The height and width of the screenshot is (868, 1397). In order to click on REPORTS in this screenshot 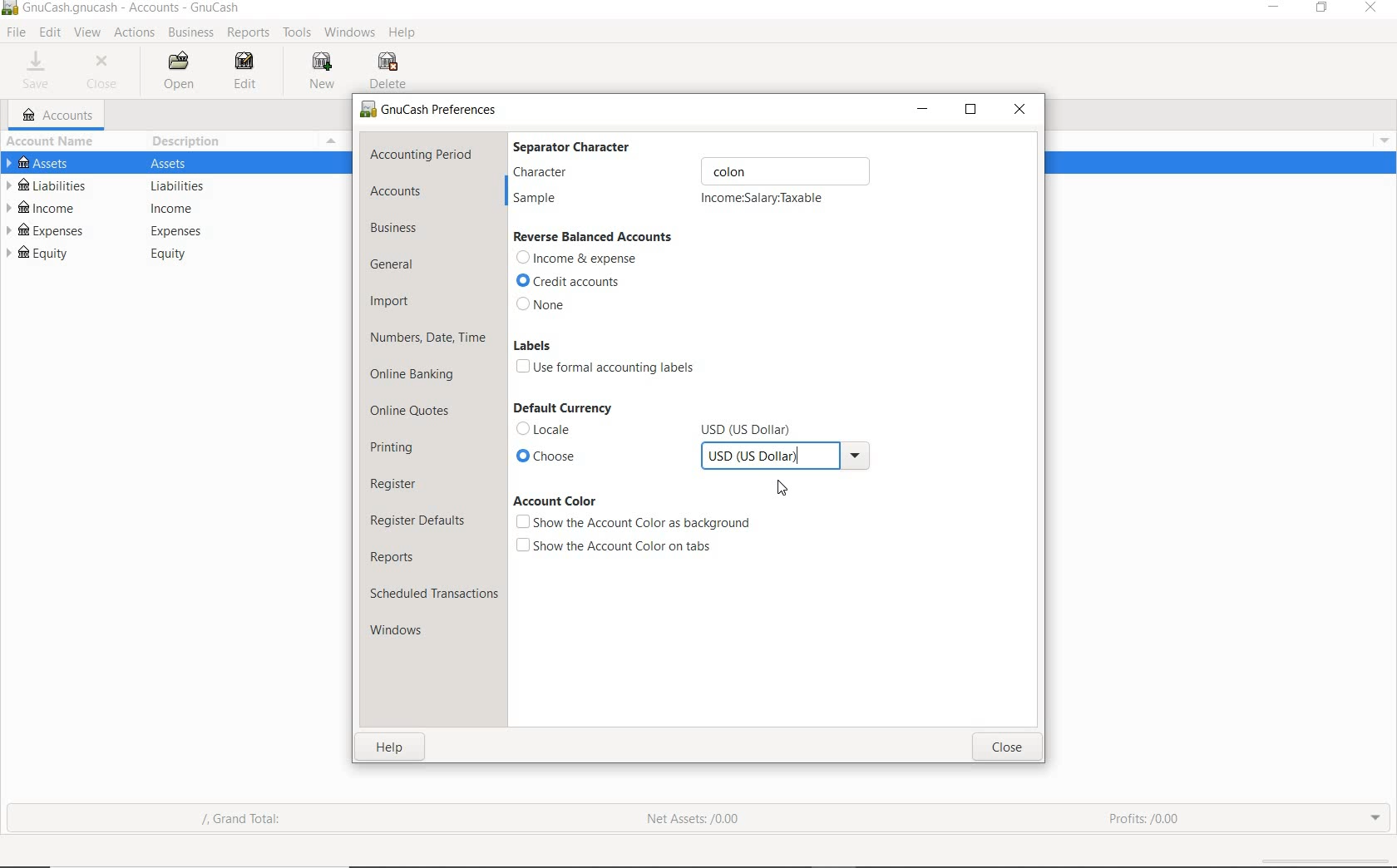, I will do `click(249, 33)`.